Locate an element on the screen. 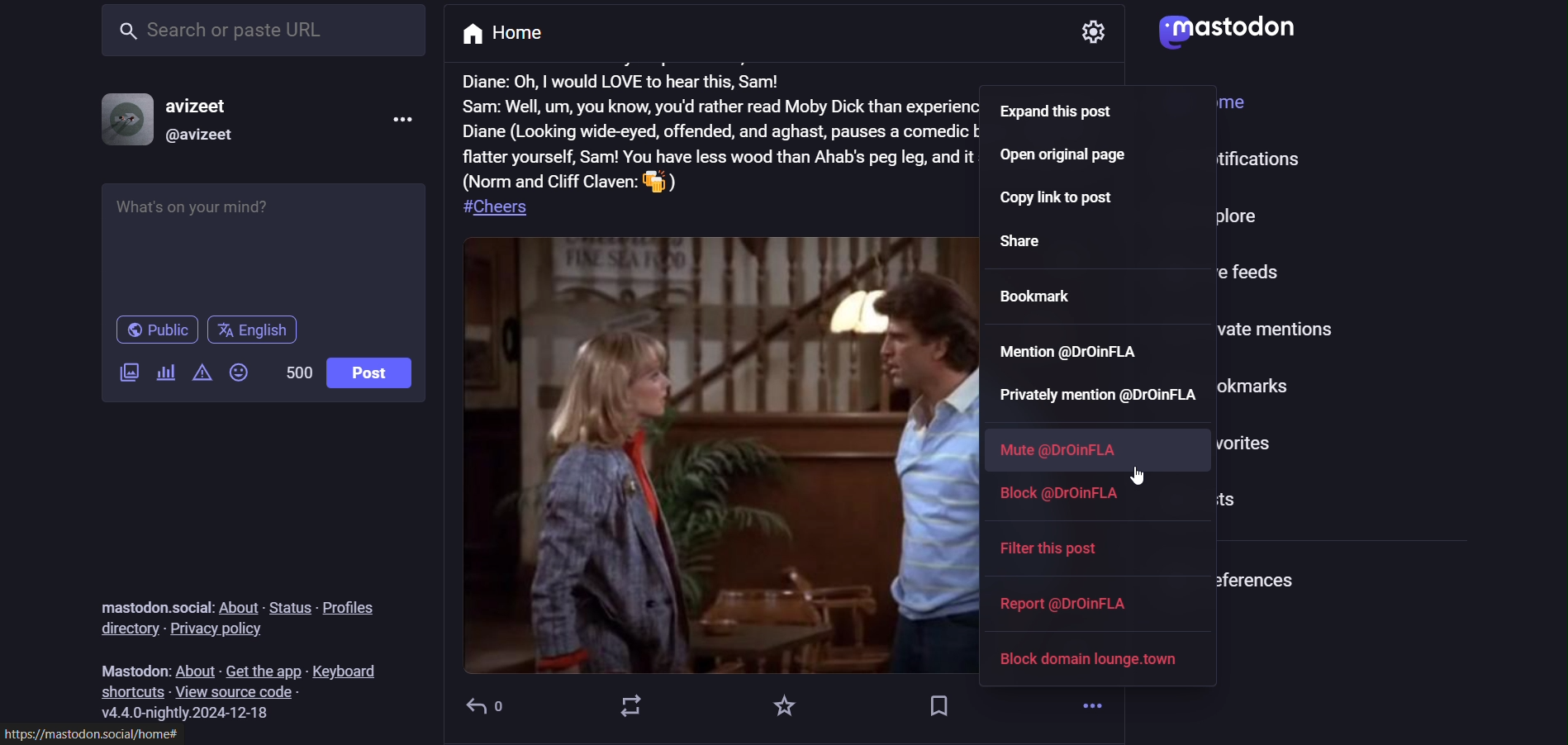 The width and height of the screenshot is (1568, 745). mastodon logo is located at coordinates (1238, 28).